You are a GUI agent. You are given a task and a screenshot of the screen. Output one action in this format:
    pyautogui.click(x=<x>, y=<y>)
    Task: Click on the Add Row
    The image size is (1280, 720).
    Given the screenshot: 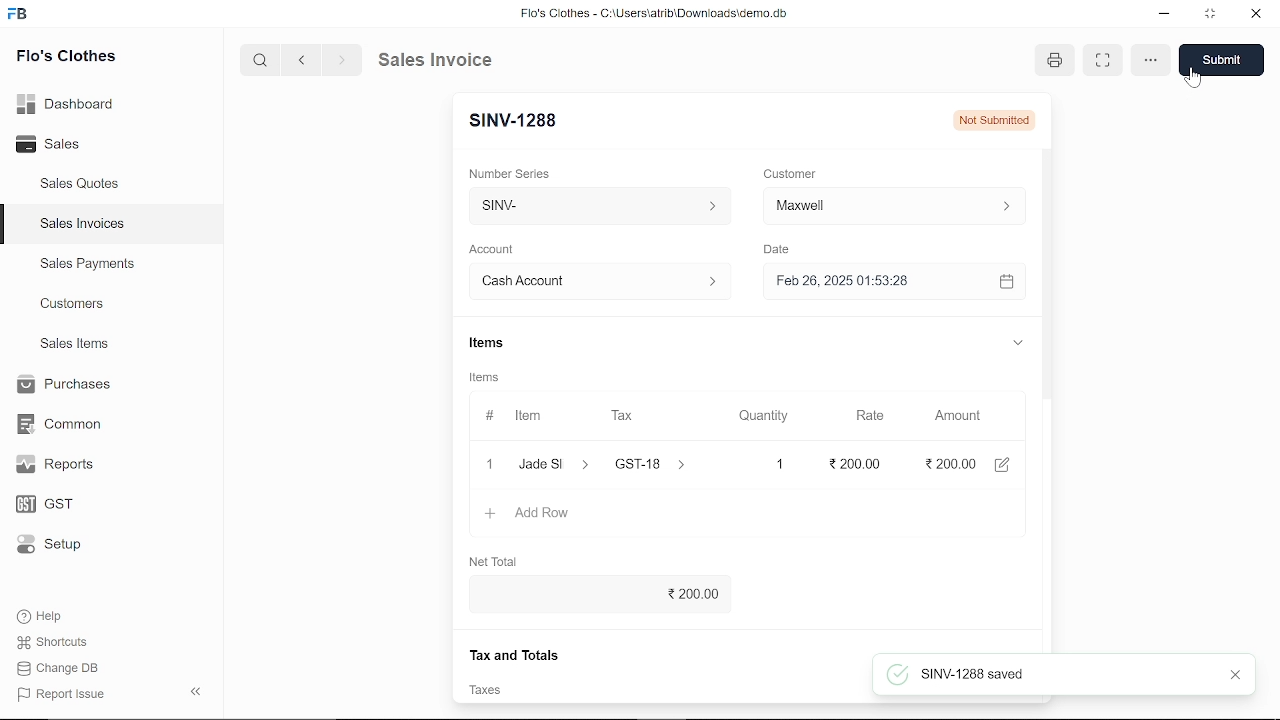 What is the action you would take?
    pyautogui.click(x=529, y=514)
    